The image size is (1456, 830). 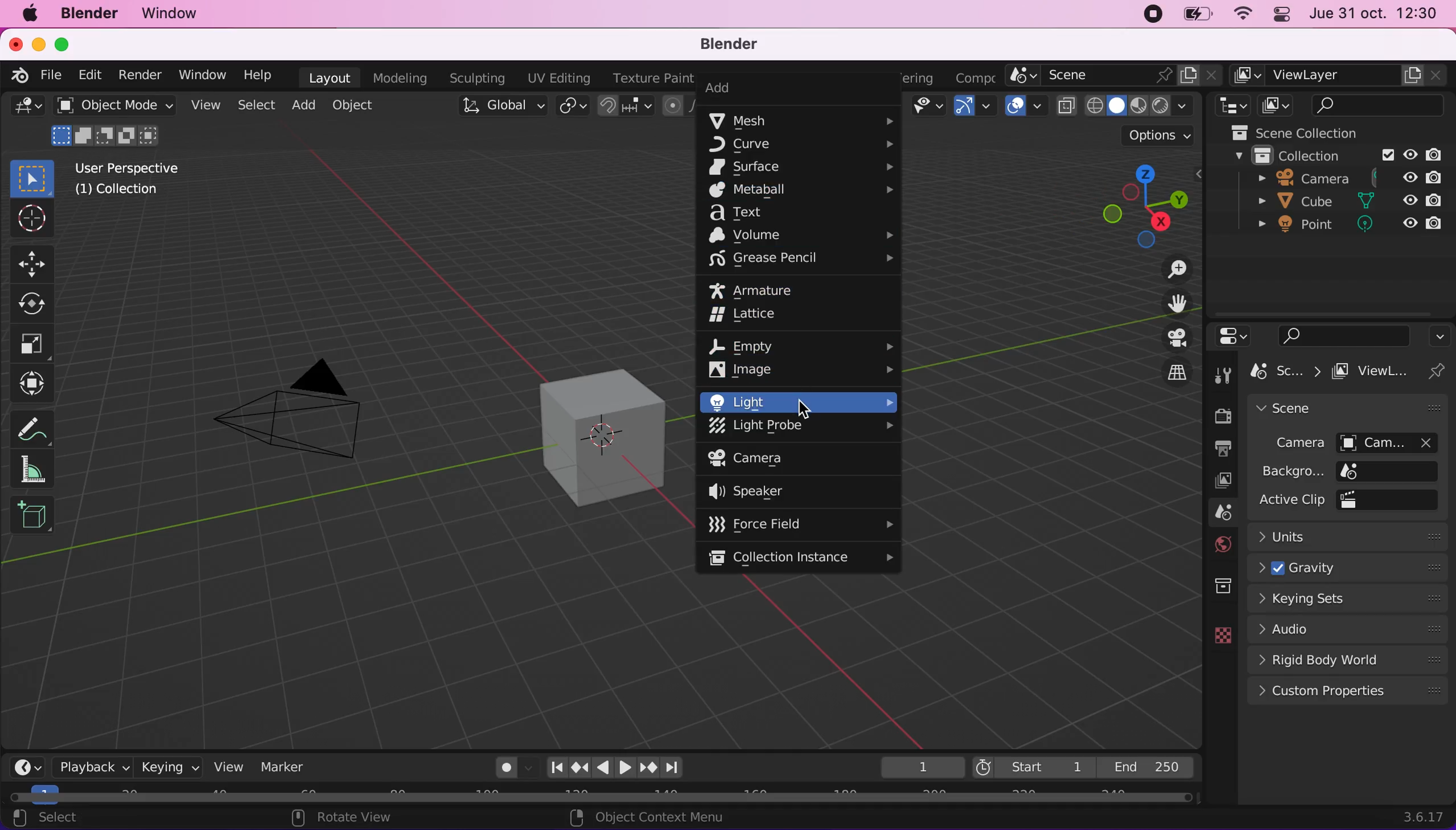 What do you see at coordinates (22, 766) in the screenshot?
I see `editor type` at bounding box center [22, 766].